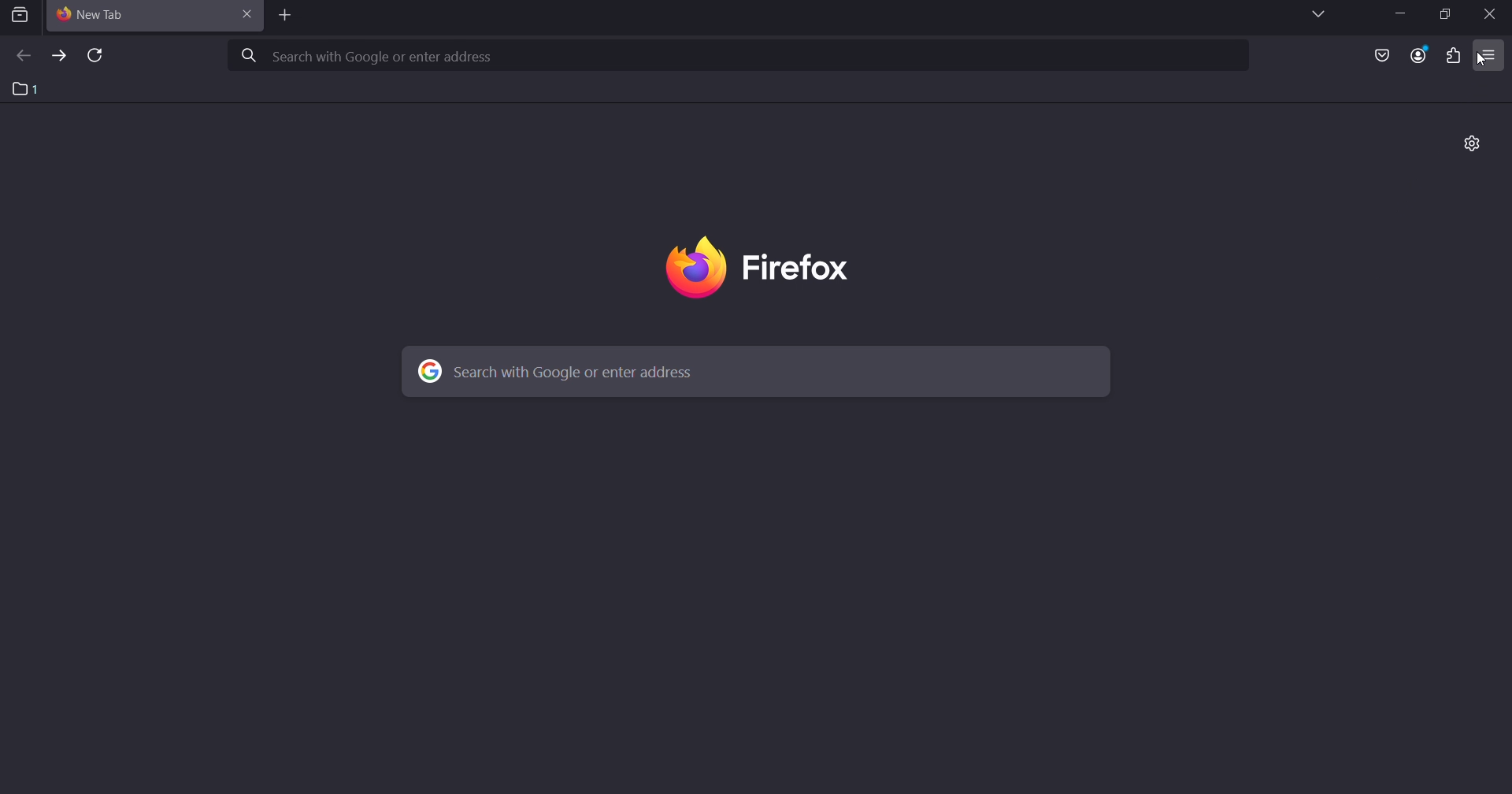 This screenshot has height=794, width=1512. What do you see at coordinates (1312, 15) in the screenshot?
I see `list all tabs` at bounding box center [1312, 15].